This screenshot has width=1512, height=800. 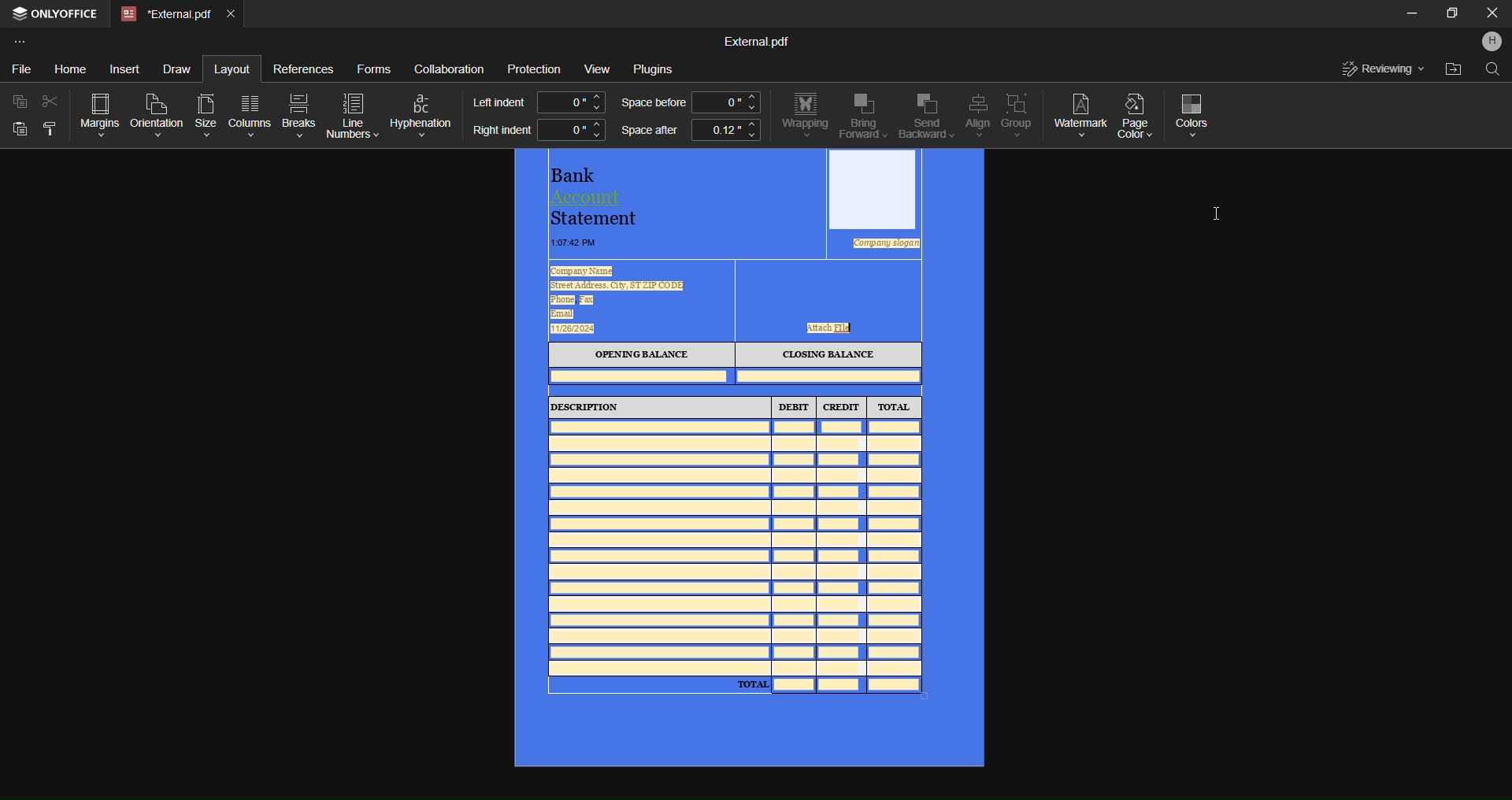 I want to click on External.pdf(File Name), so click(x=757, y=40).